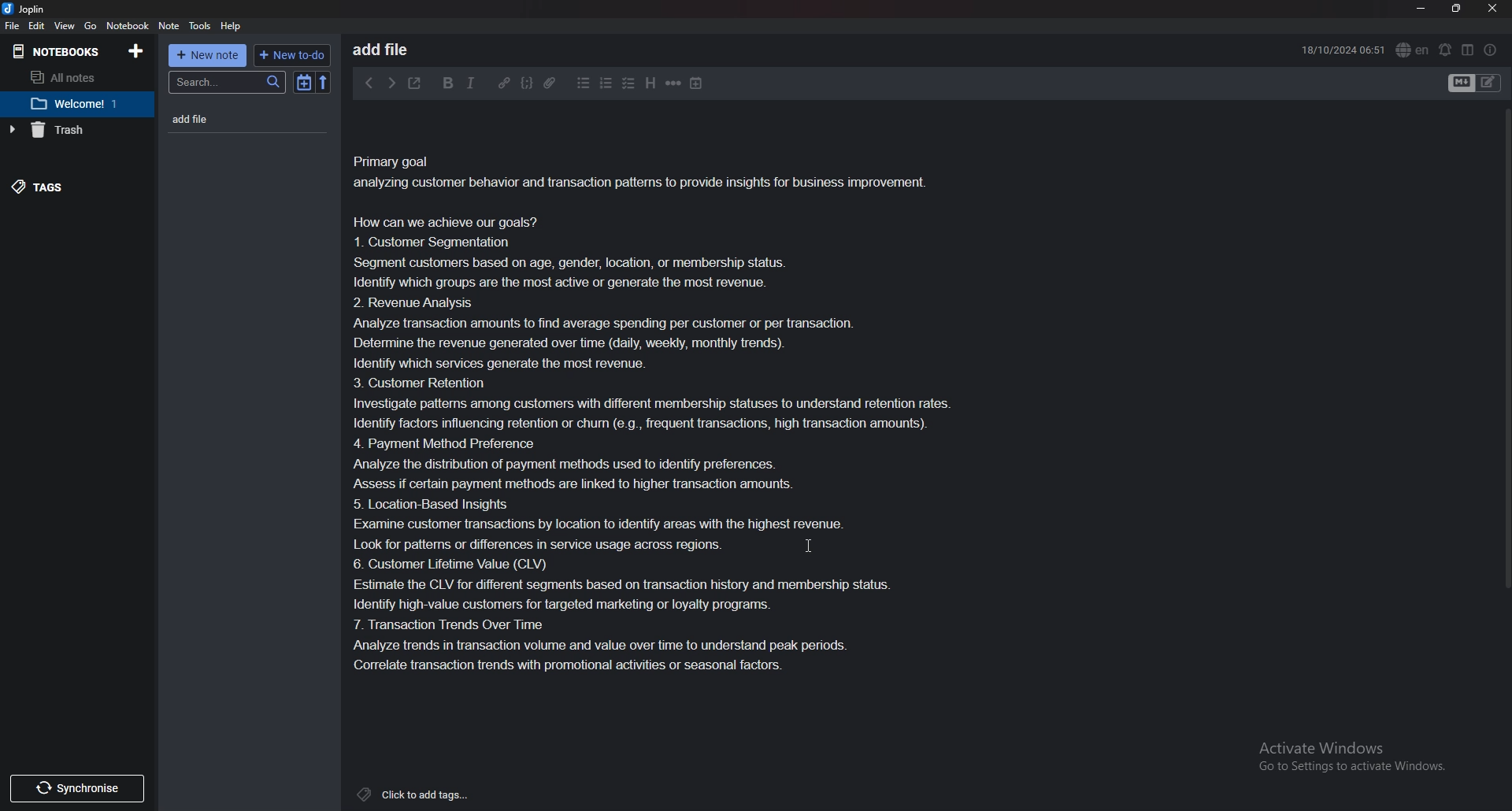 Image resolution: width=1512 pixels, height=811 pixels. I want to click on All notes, so click(70, 78).